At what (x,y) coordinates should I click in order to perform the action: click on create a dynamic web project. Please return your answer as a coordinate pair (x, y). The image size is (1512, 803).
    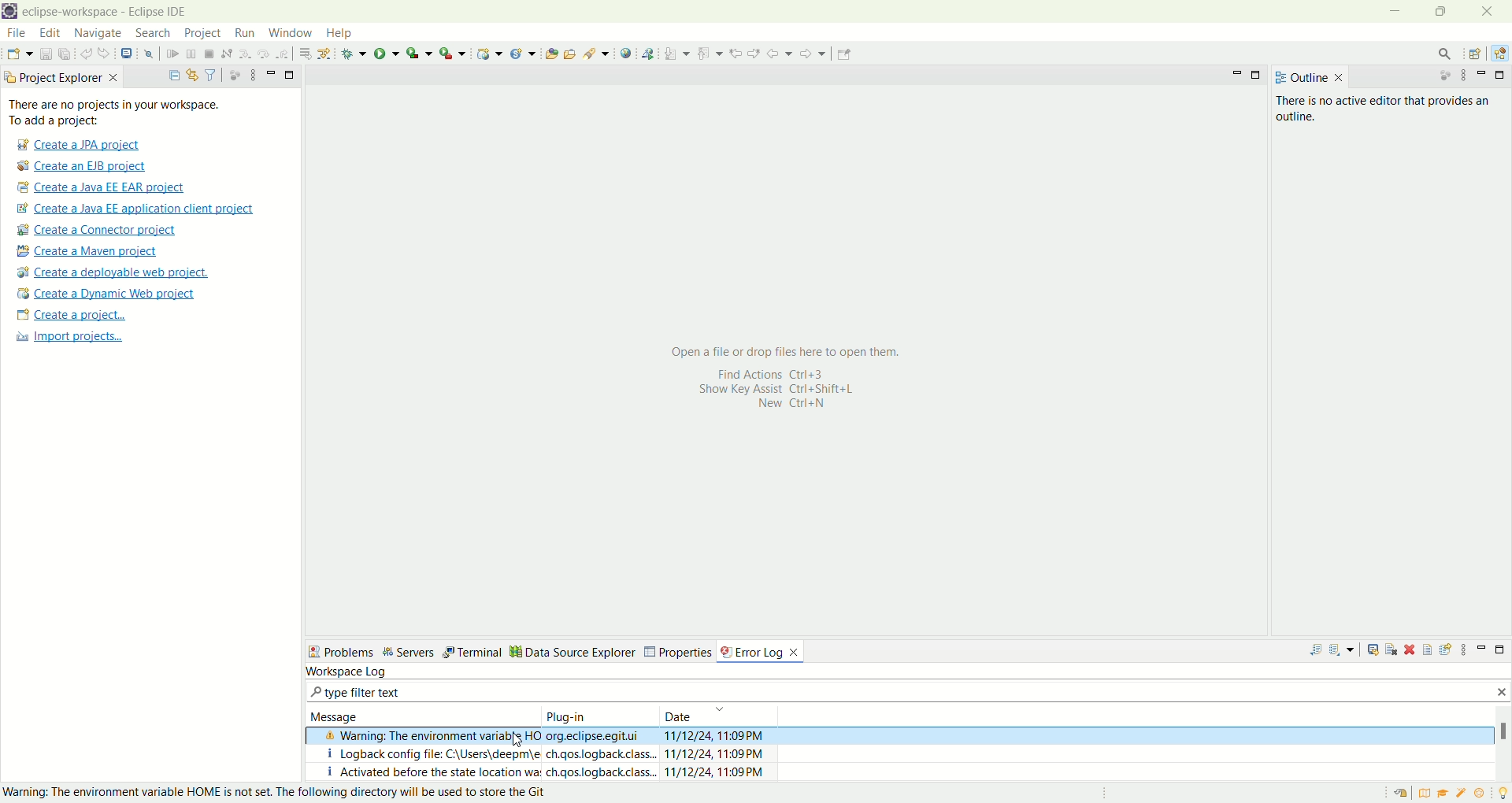
    Looking at the image, I should click on (489, 53).